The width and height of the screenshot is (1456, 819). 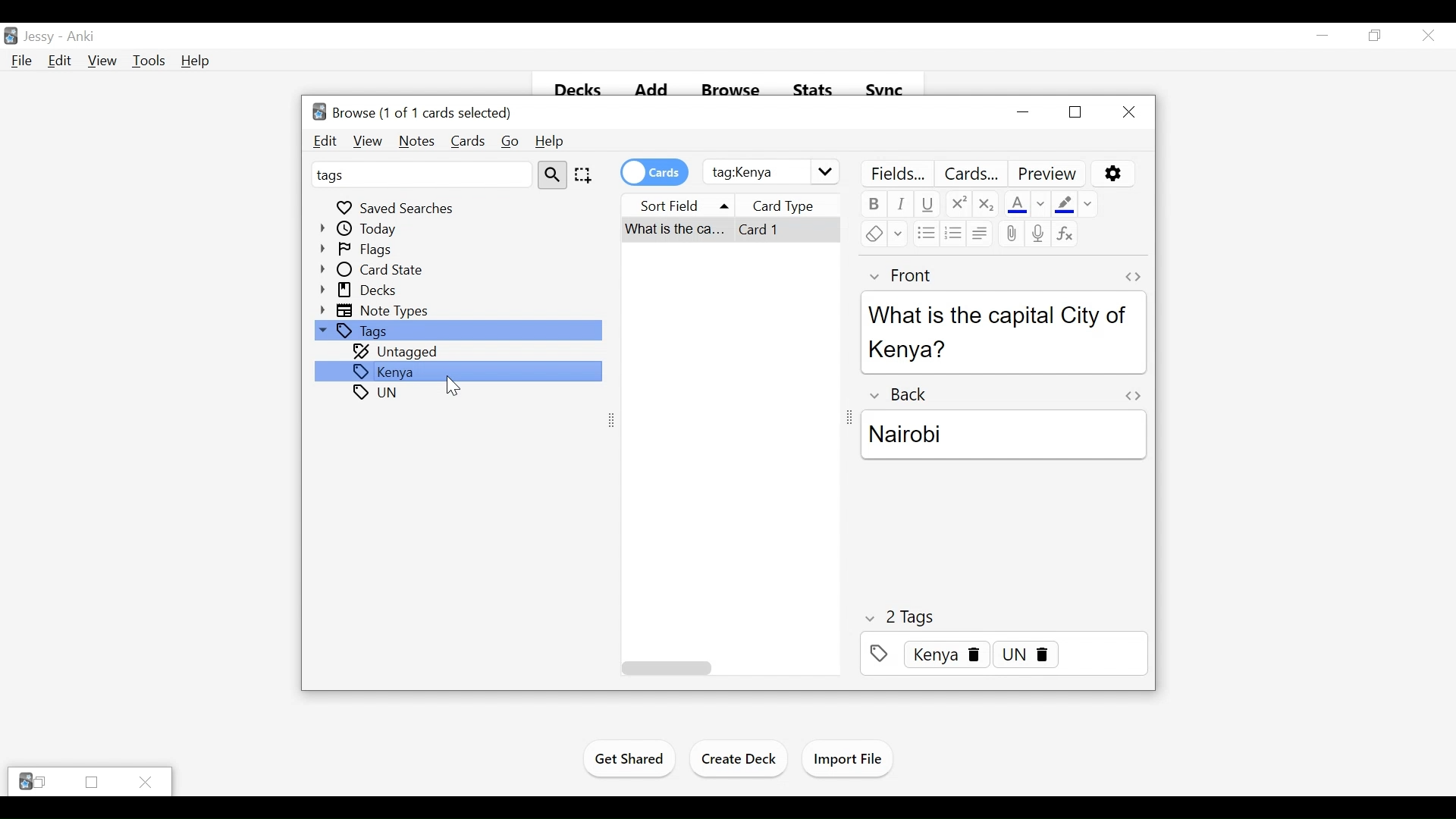 I want to click on Preview Selected Card, so click(x=1049, y=174).